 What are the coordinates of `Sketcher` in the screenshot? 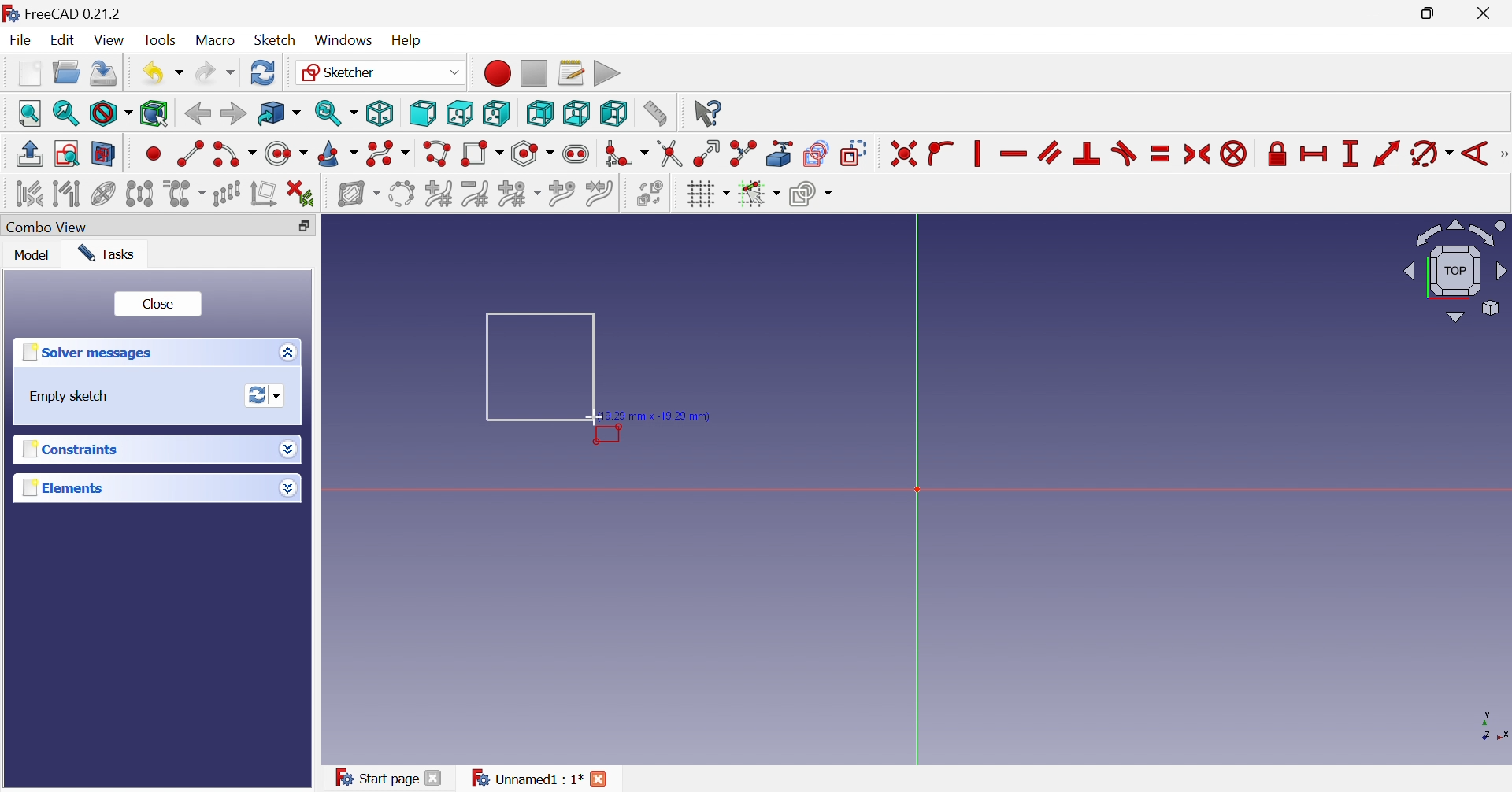 It's located at (379, 71).